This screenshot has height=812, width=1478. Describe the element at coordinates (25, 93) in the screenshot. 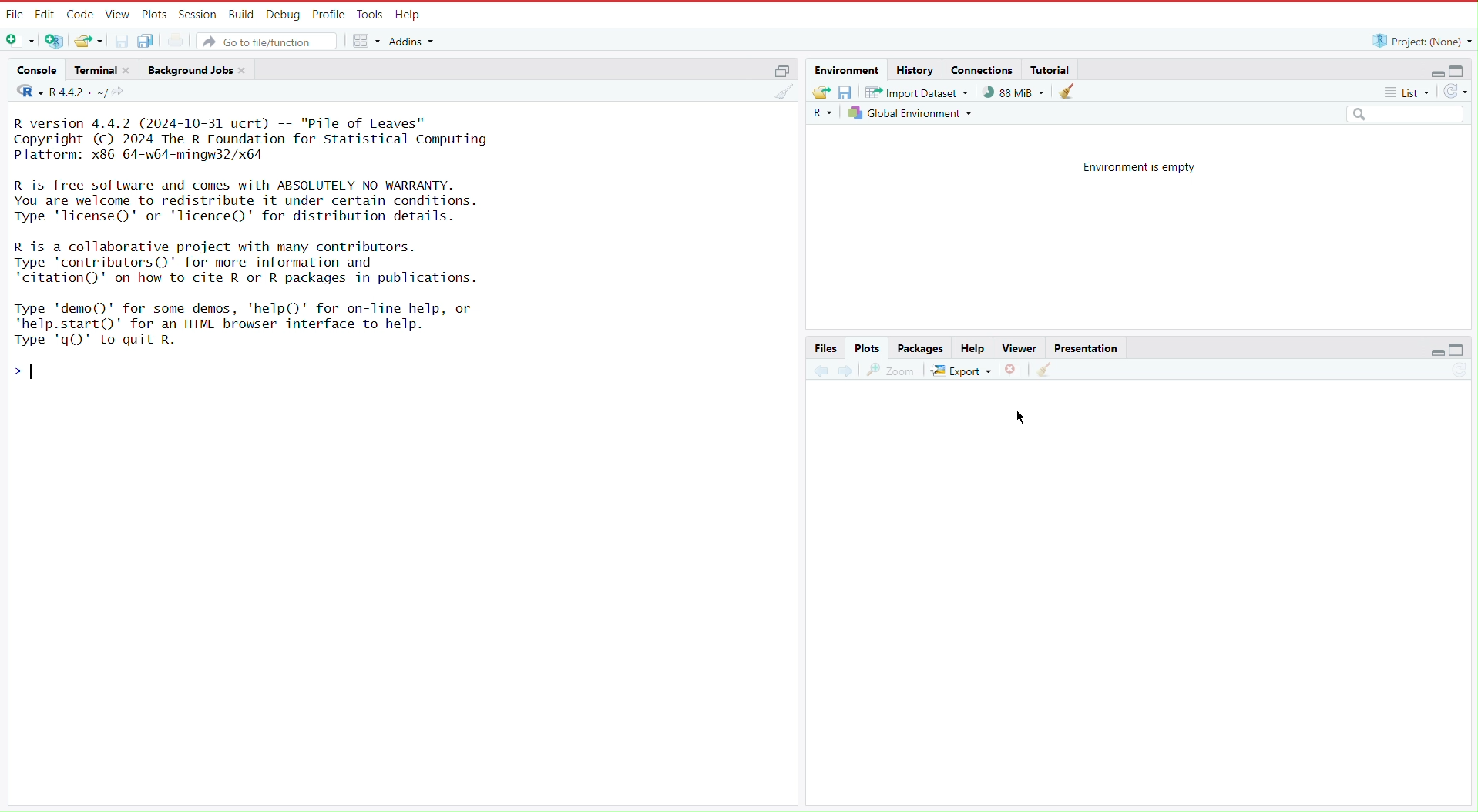

I see `R` at that location.